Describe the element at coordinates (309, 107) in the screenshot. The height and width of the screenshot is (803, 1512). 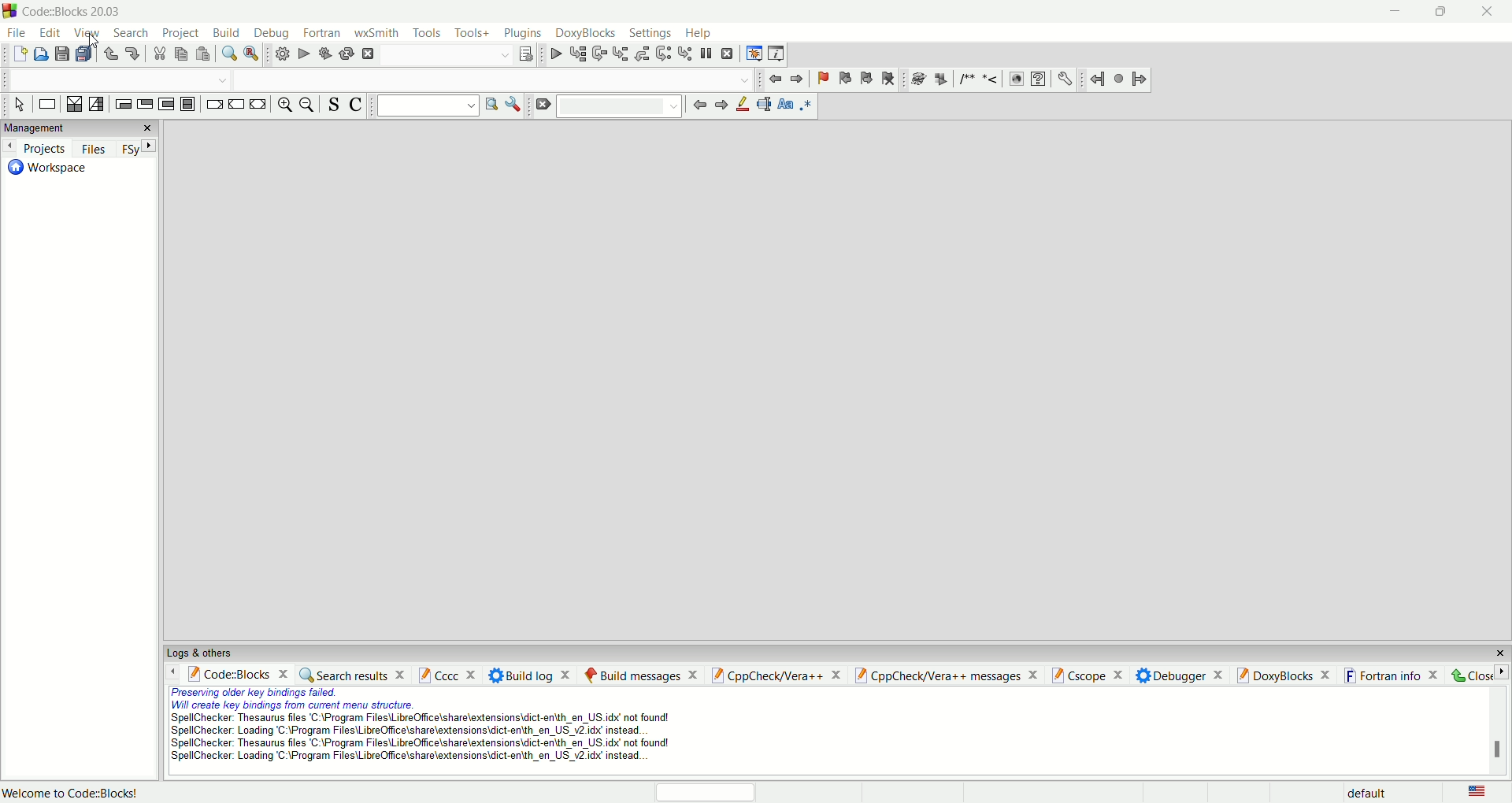
I see `zoom out` at that location.